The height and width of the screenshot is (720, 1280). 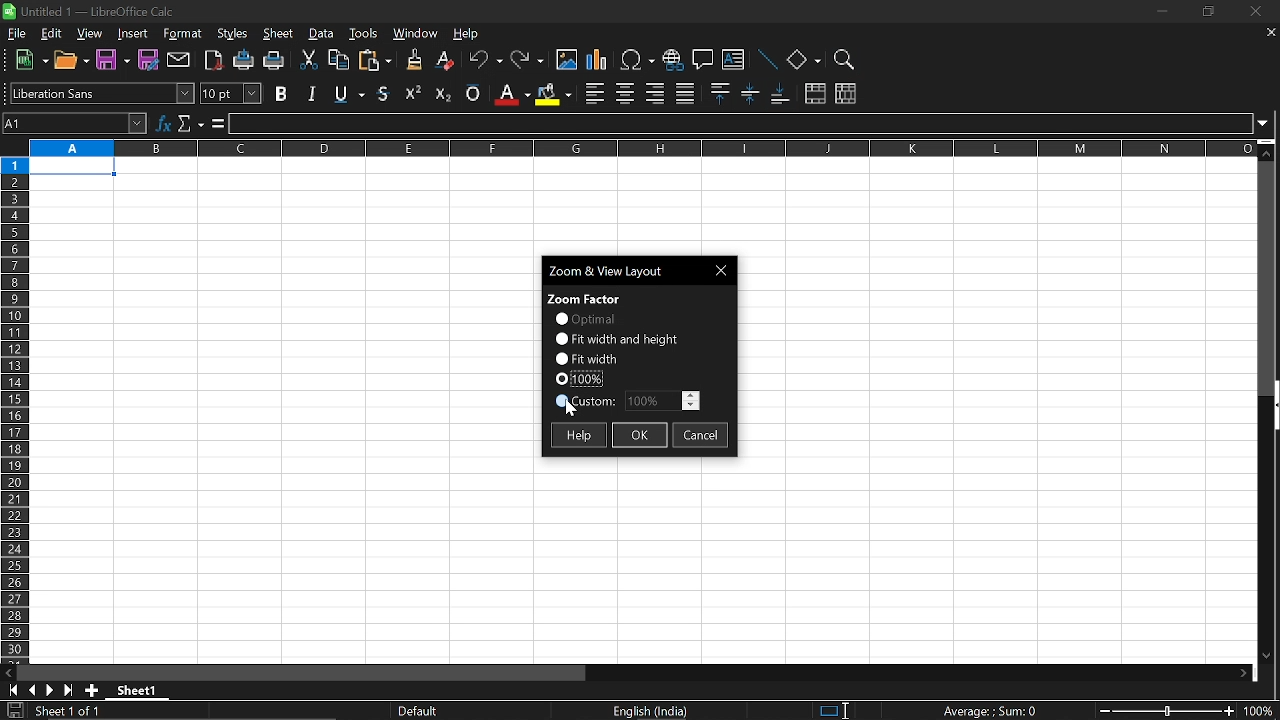 What do you see at coordinates (51, 34) in the screenshot?
I see `edit` at bounding box center [51, 34].